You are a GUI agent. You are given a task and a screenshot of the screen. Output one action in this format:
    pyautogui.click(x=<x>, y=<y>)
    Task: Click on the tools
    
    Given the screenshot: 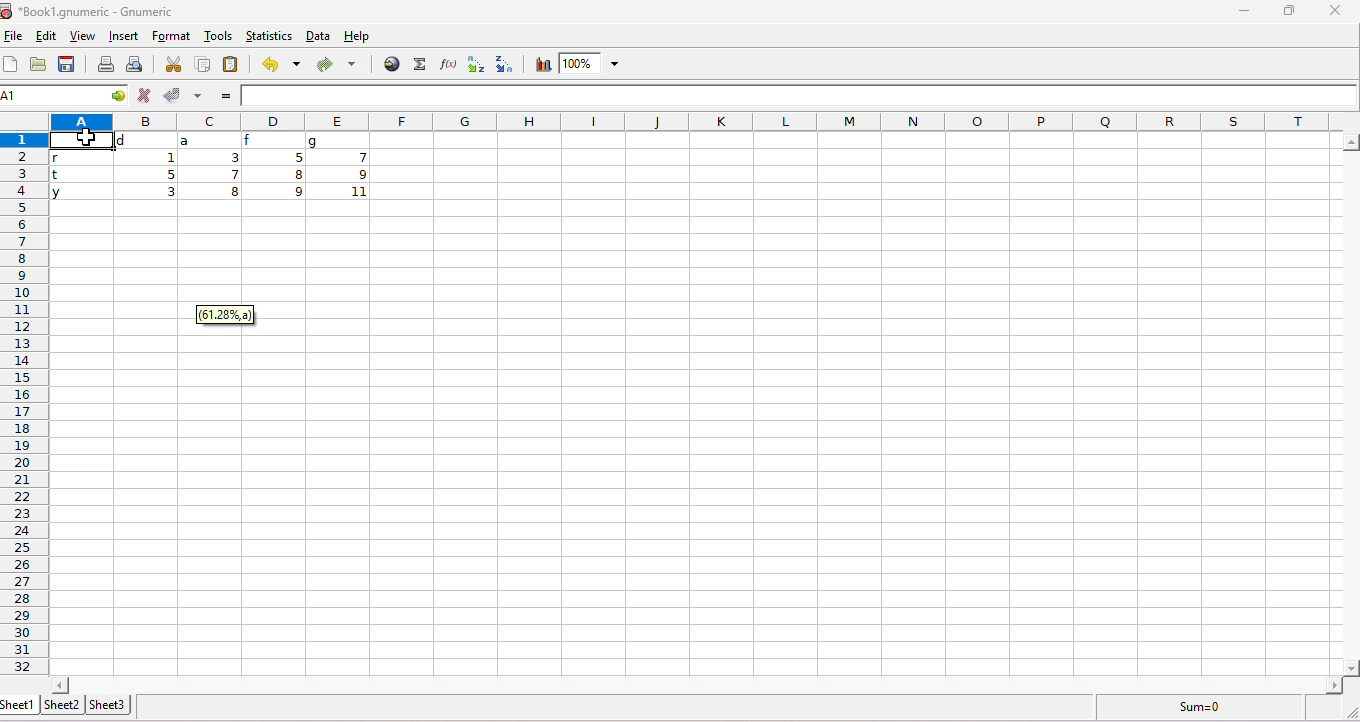 What is the action you would take?
    pyautogui.click(x=217, y=37)
    